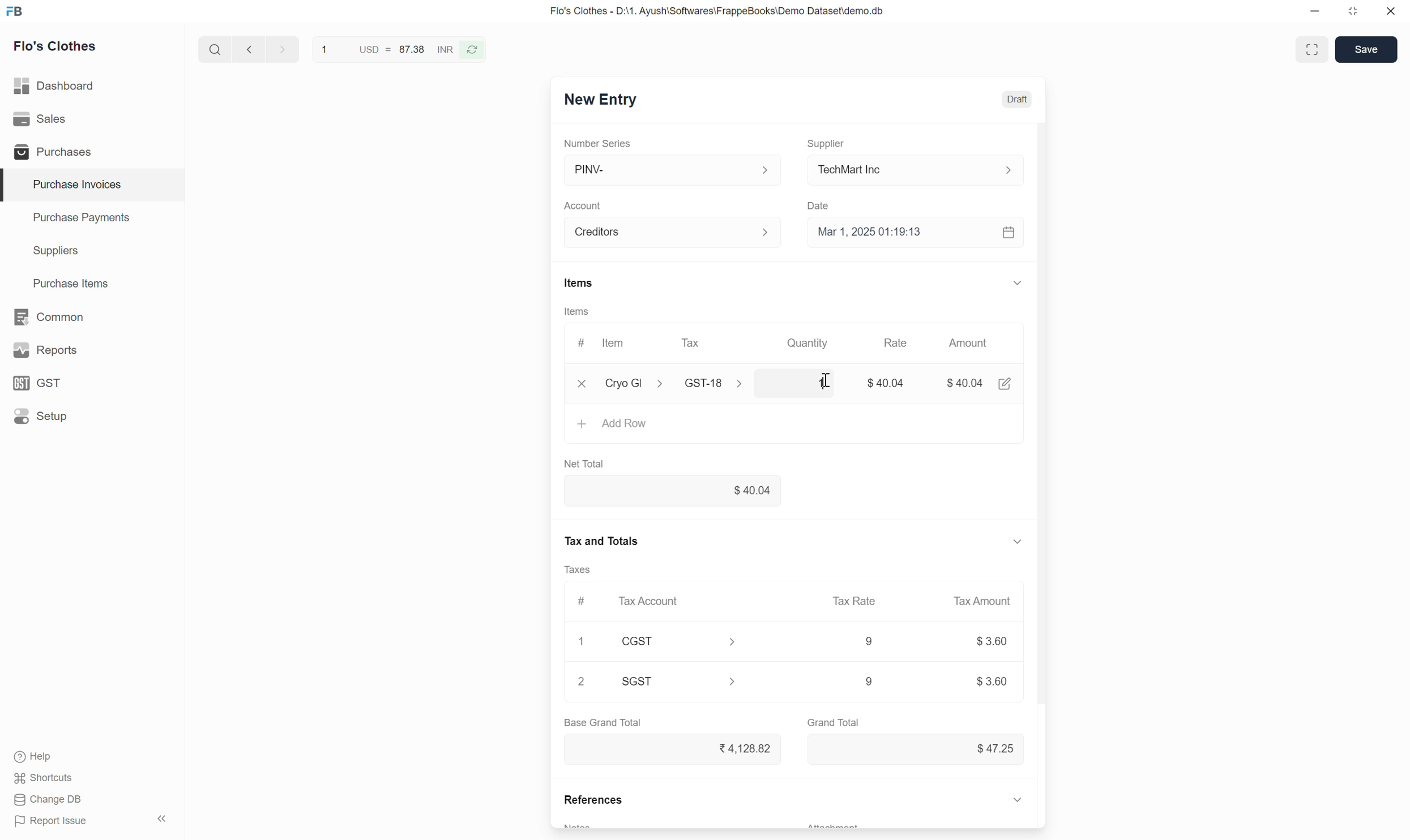 This screenshot has width=1410, height=840. What do you see at coordinates (822, 382) in the screenshot?
I see `1` at bounding box center [822, 382].